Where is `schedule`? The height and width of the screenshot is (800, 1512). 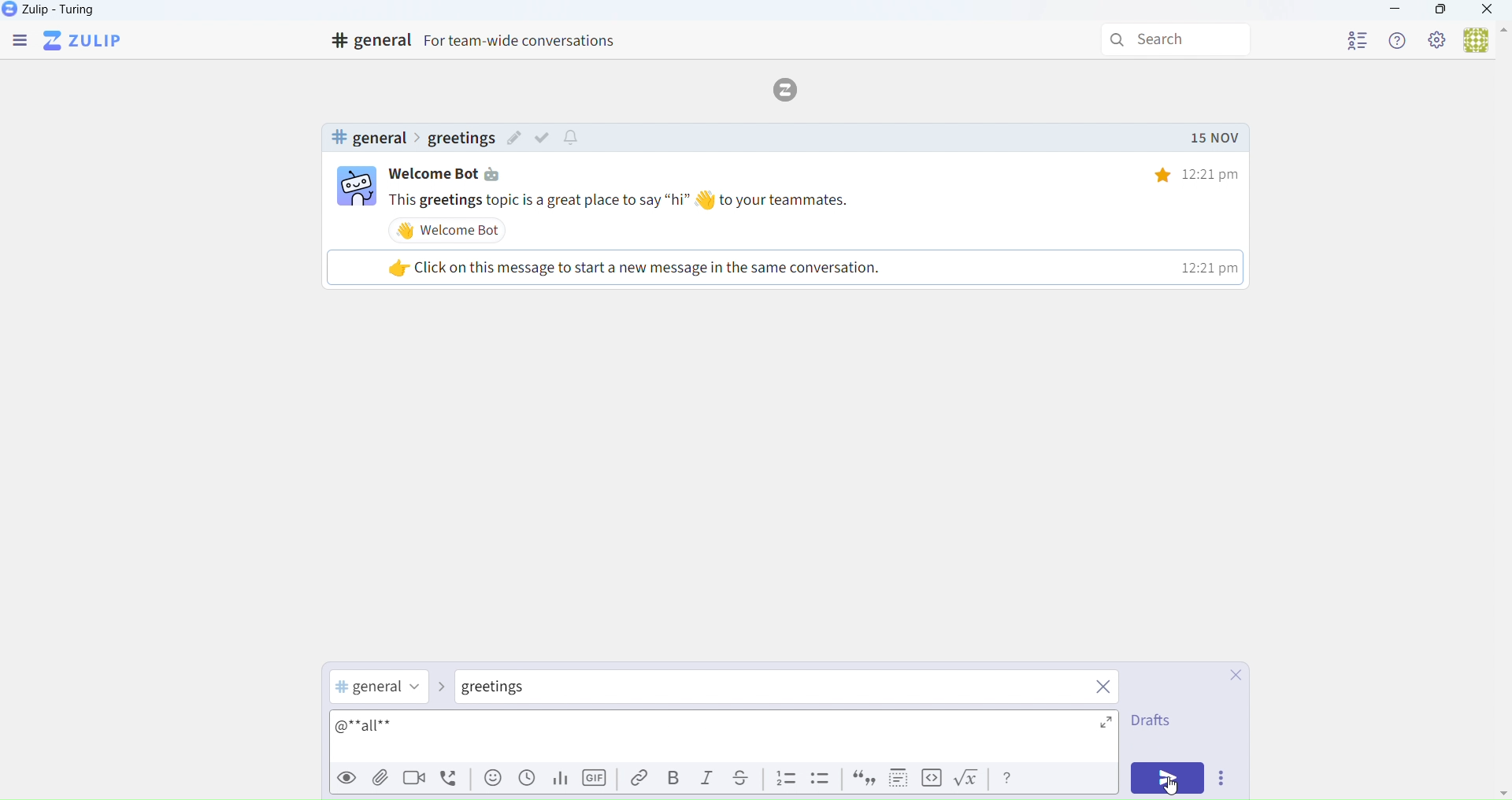
schedule is located at coordinates (527, 783).